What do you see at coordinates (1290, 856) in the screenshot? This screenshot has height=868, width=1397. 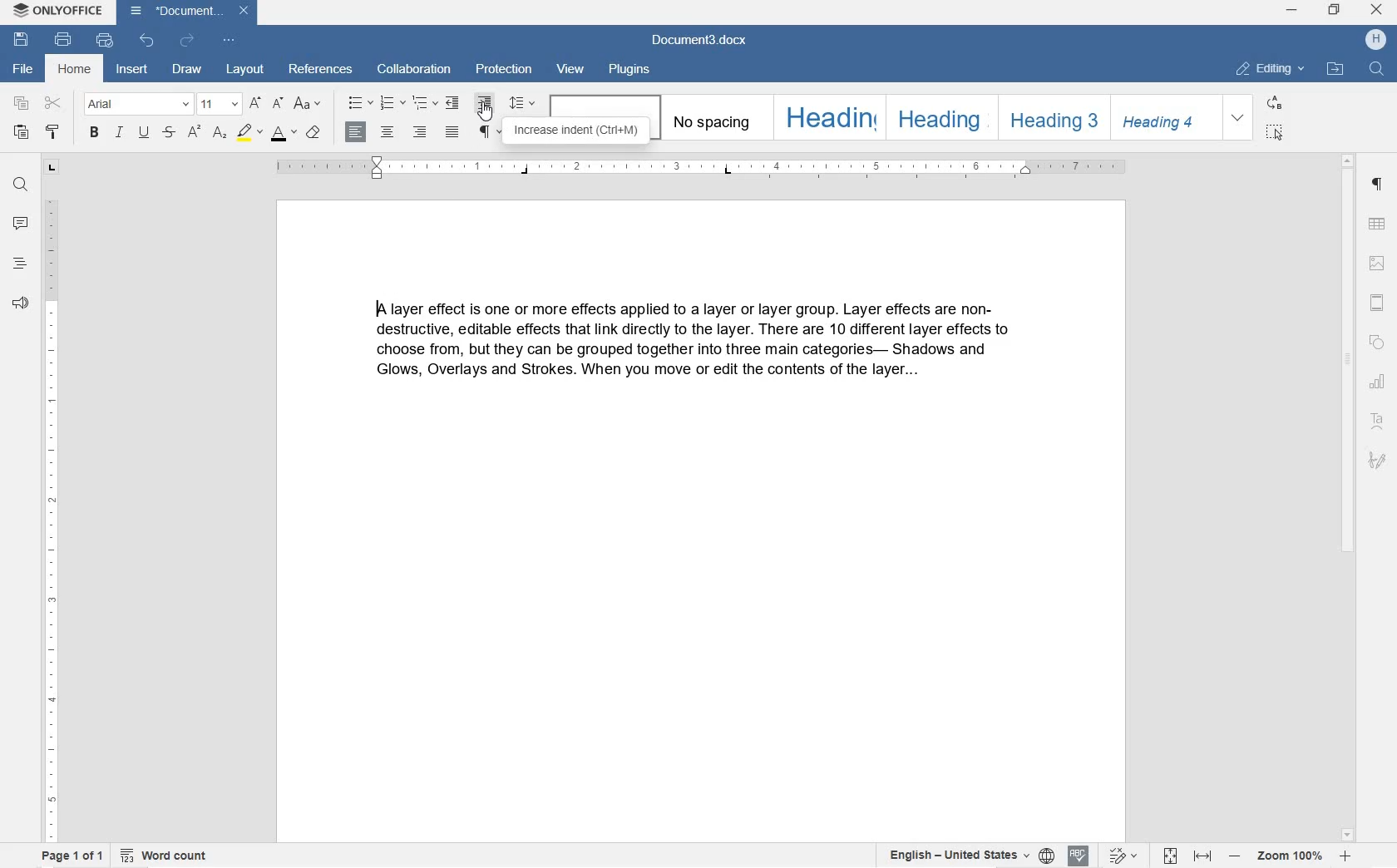 I see `ZOOM IN OR OUT` at bounding box center [1290, 856].